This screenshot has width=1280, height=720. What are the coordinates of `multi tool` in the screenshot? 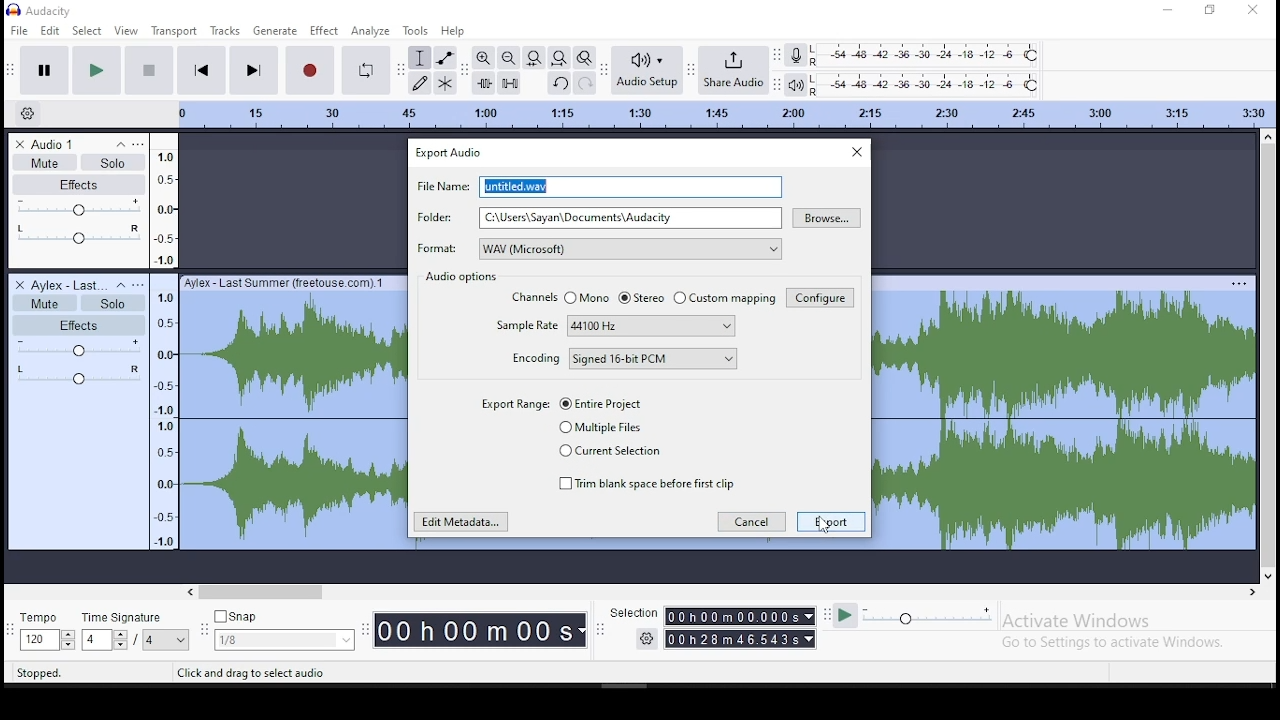 It's located at (445, 82).